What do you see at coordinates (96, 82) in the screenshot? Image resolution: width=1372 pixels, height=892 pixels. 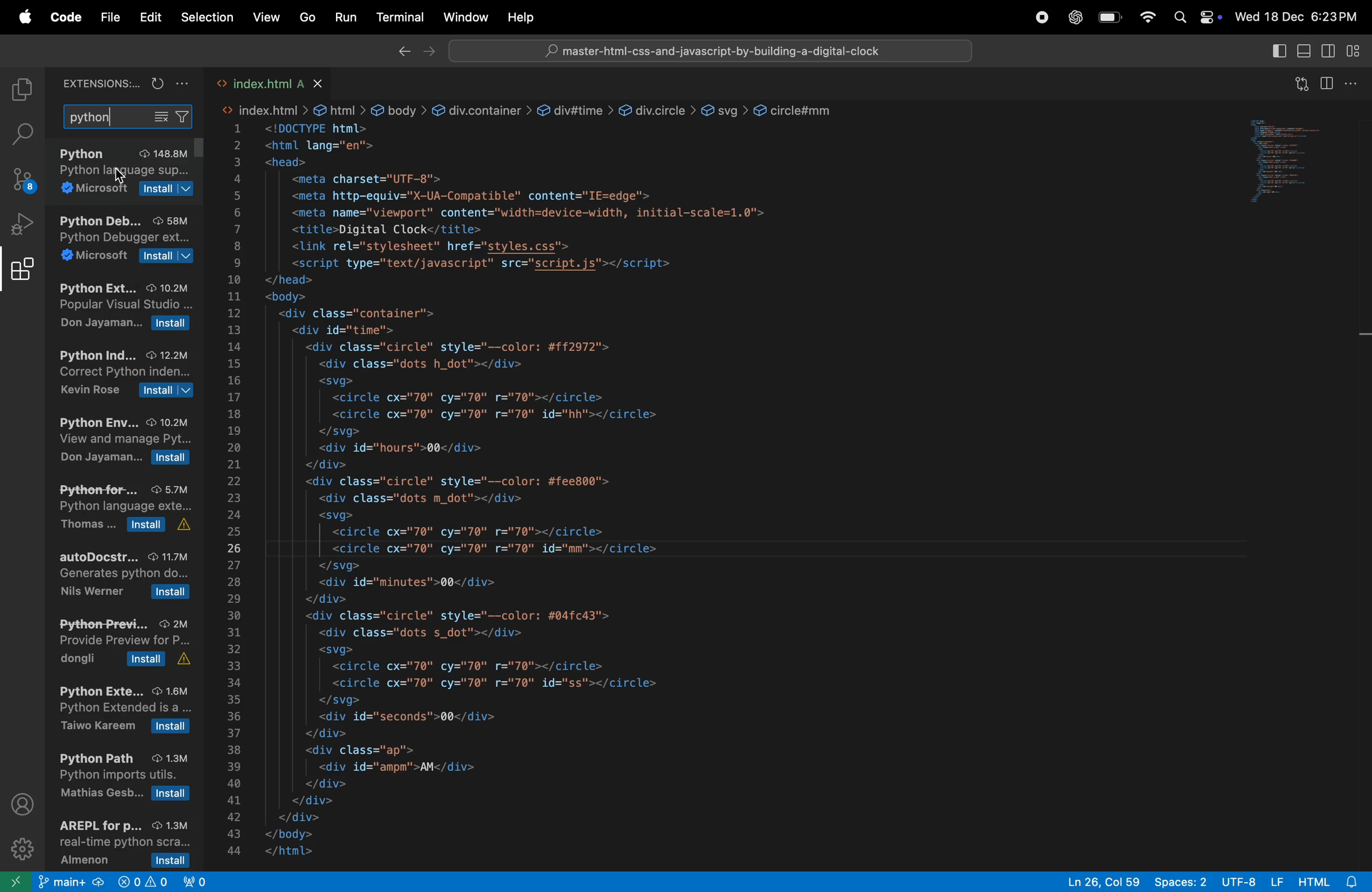 I see `extensions` at bounding box center [96, 82].